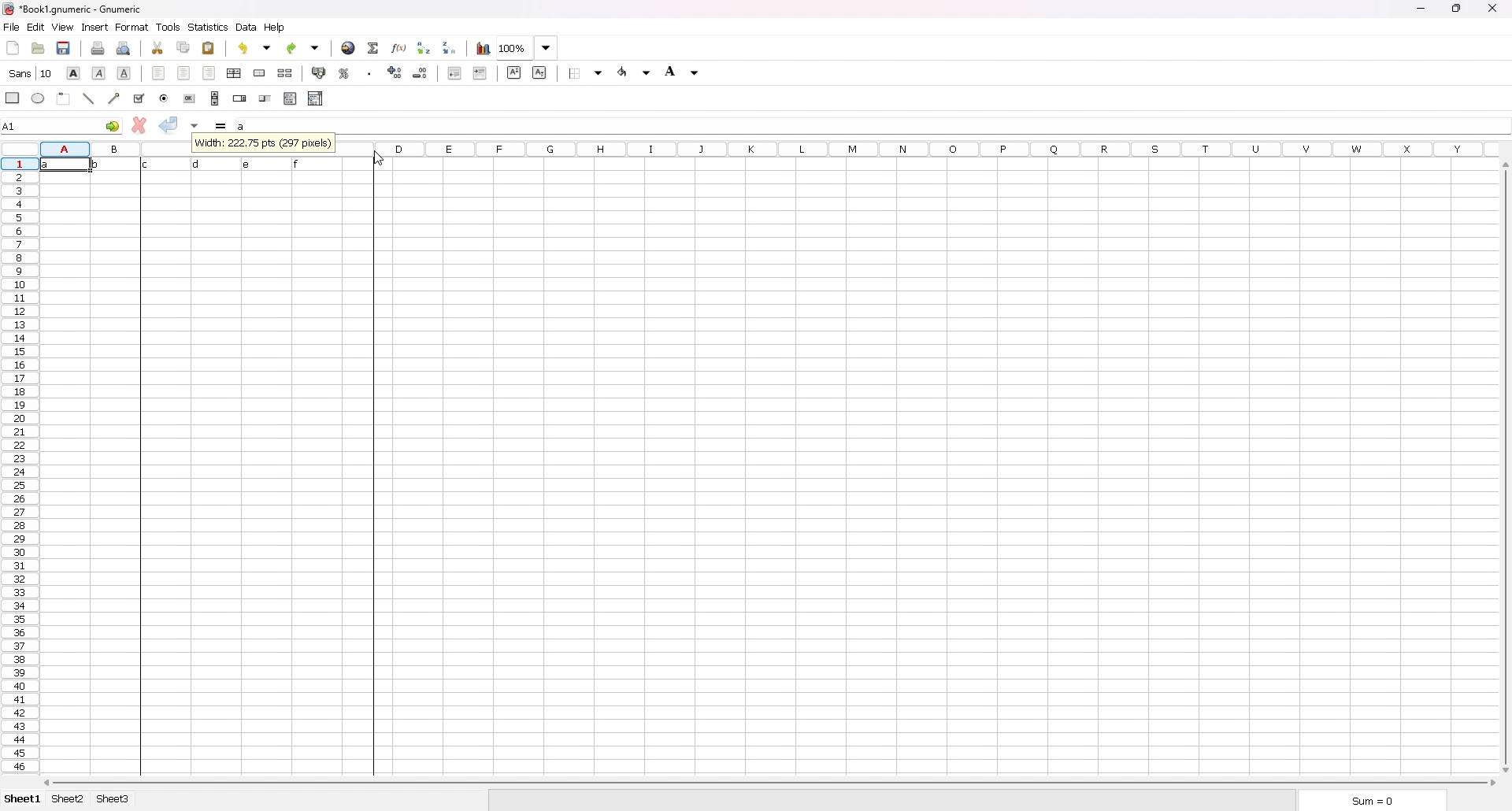  I want to click on help, so click(276, 27).